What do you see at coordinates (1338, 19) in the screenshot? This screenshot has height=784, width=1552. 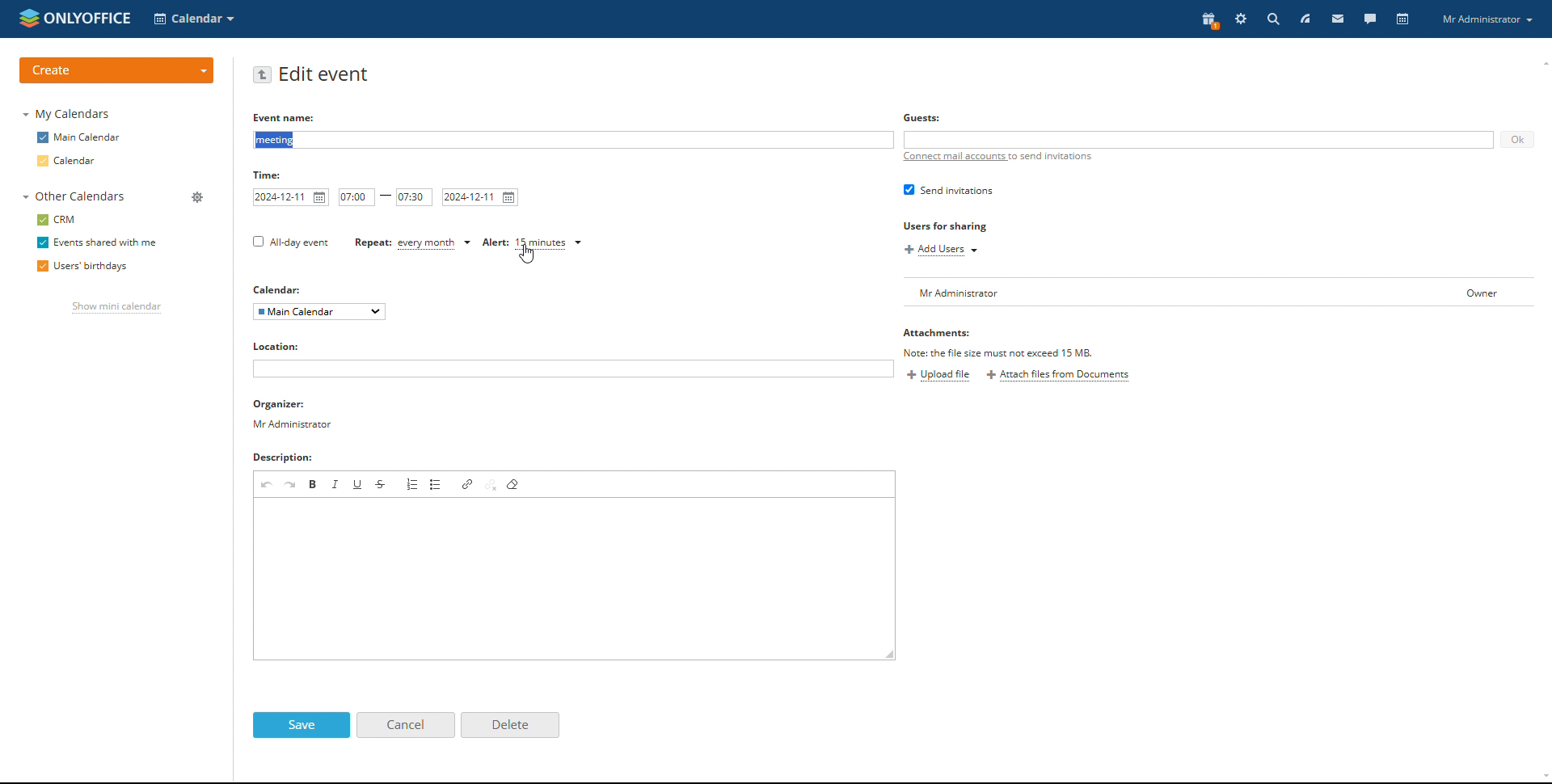 I see `mail` at bounding box center [1338, 19].